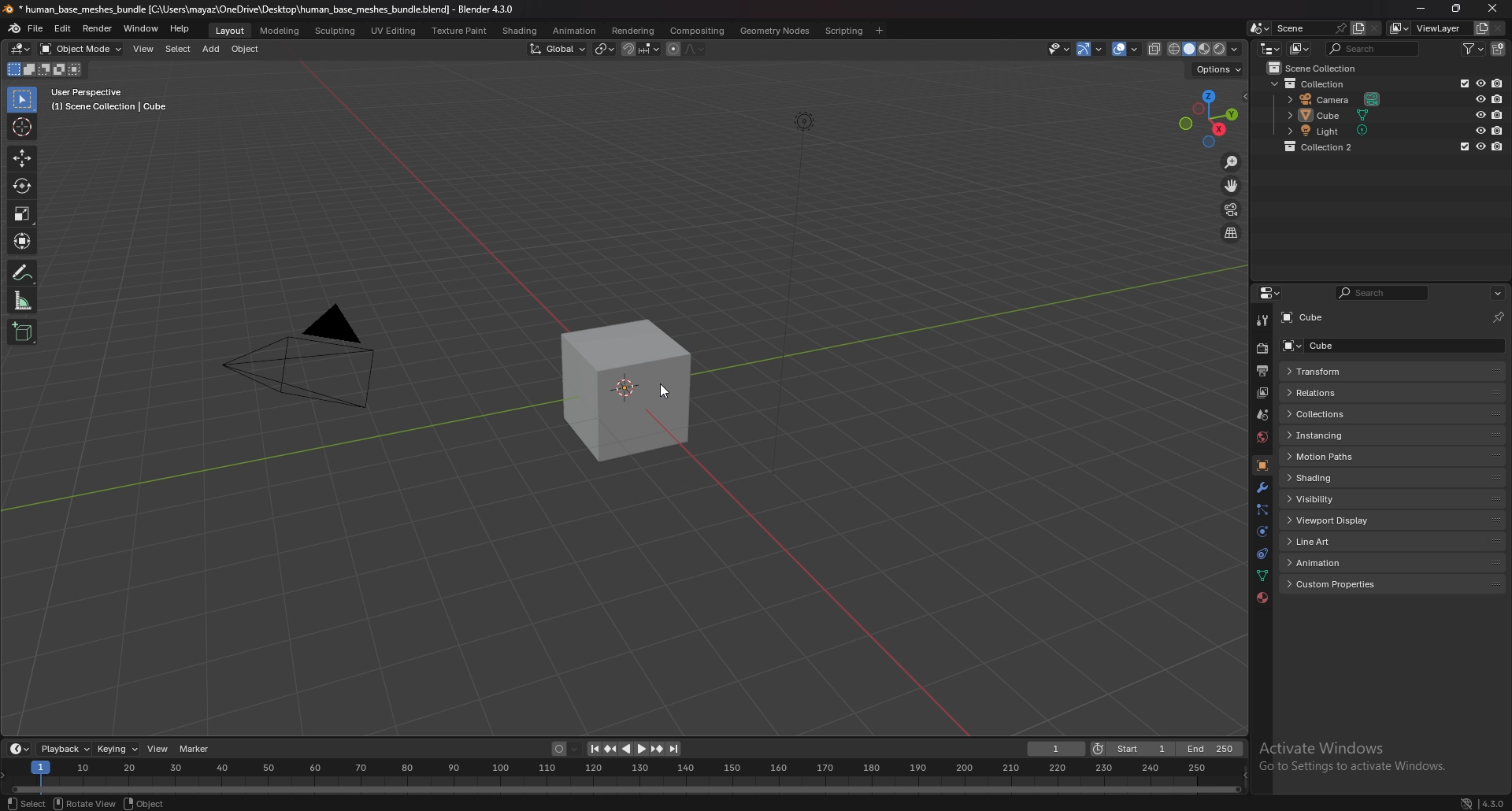  Describe the element at coordinates (1262, 393) in the screenshot. I see `view layer` at that location.